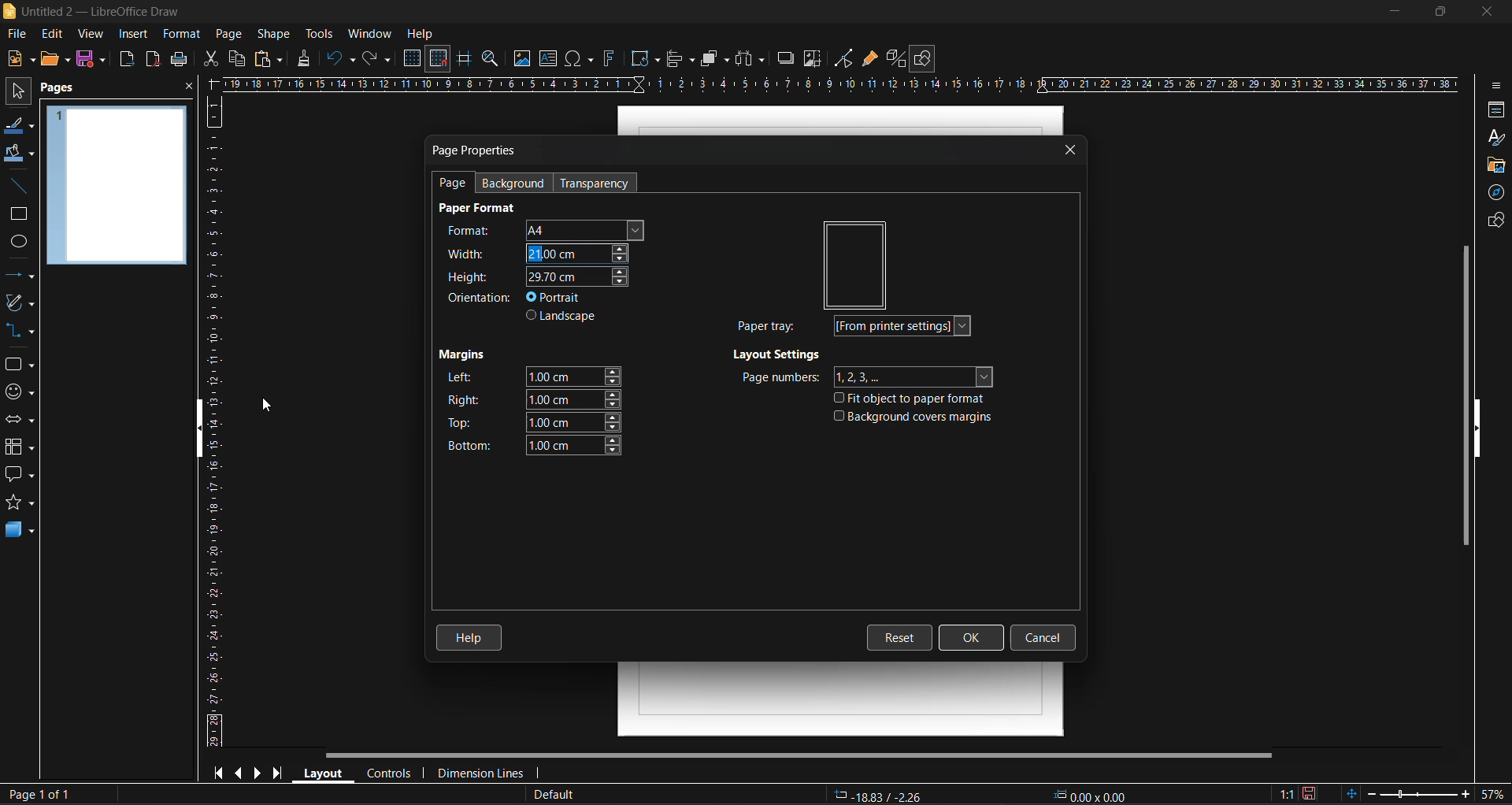  Describe the element at coordinates (19, 34) in the screenshot. I see `file` at that location.